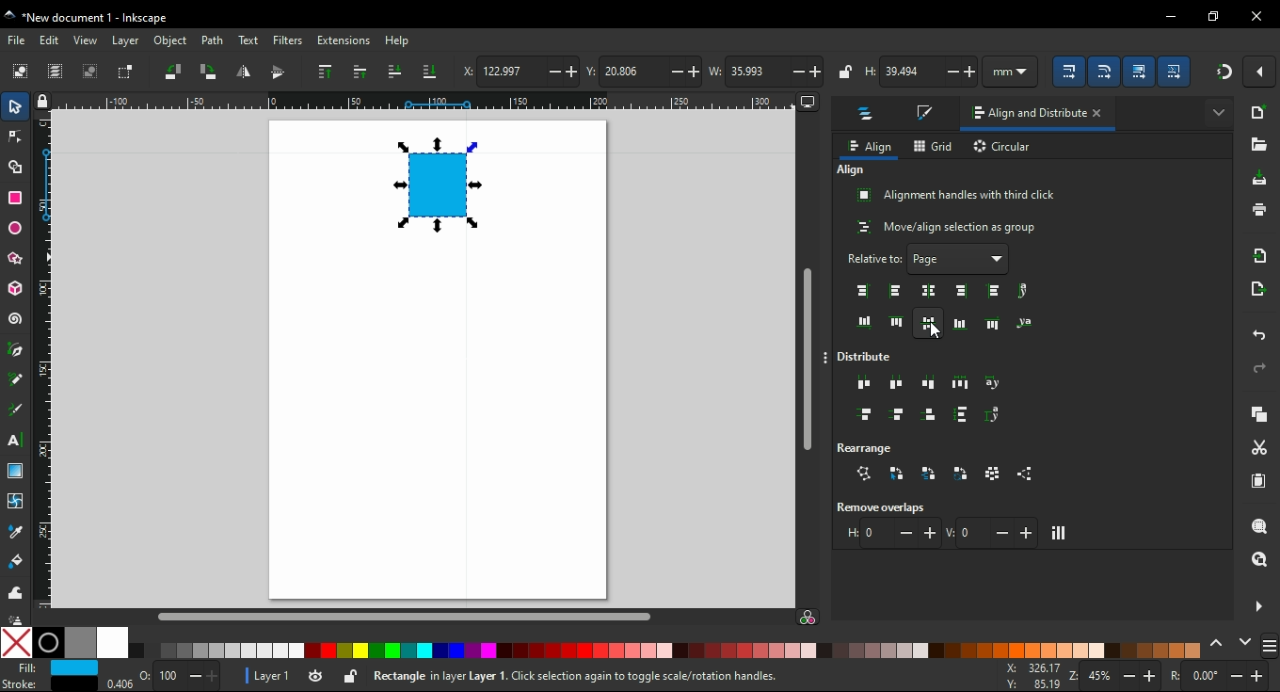  I want to click on snap, so click(1223, 72).